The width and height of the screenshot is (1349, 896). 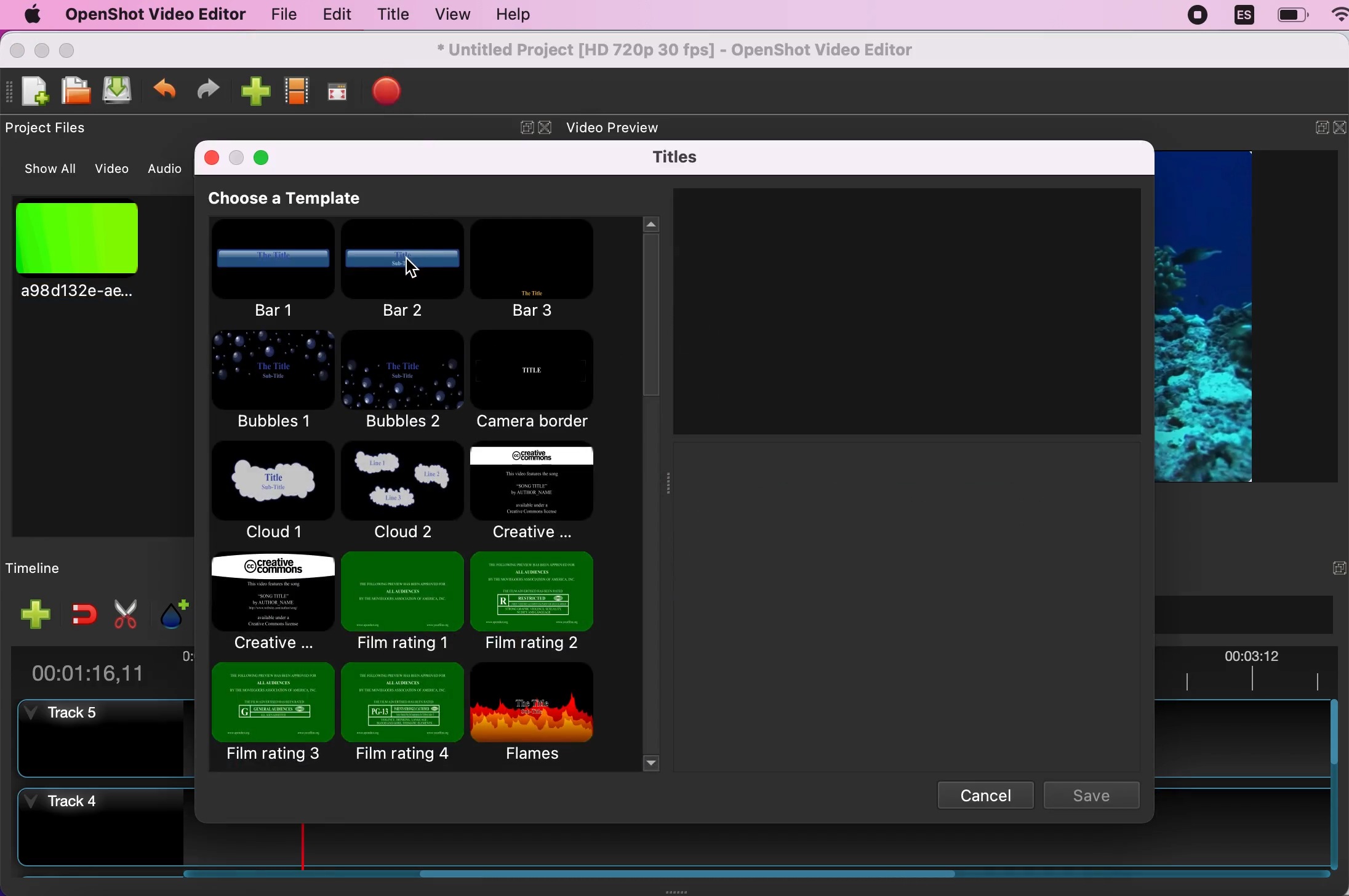 I want to click on full screen, so click(x=340, y=89).